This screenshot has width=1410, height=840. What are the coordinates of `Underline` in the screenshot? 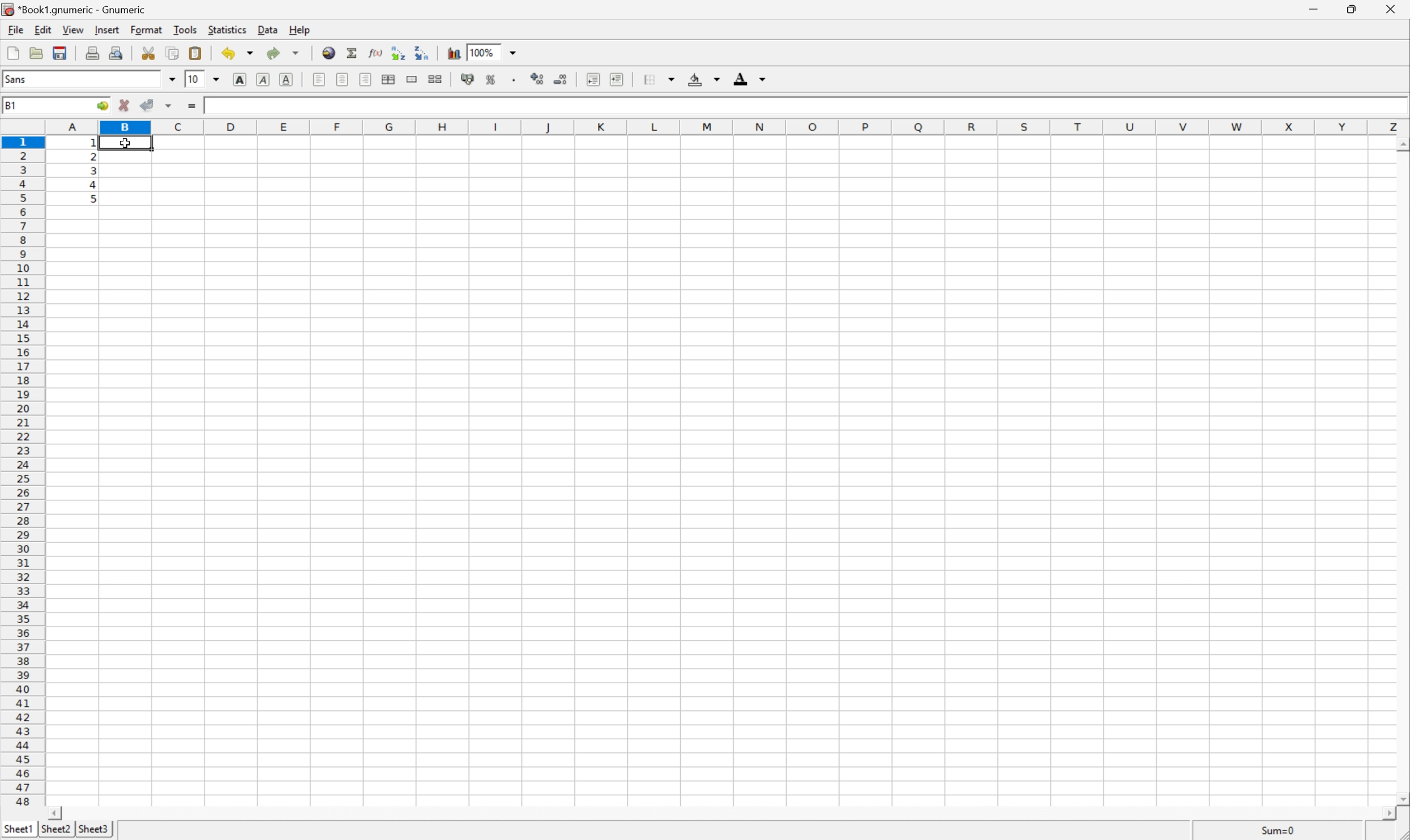 It's located at (287, 79).